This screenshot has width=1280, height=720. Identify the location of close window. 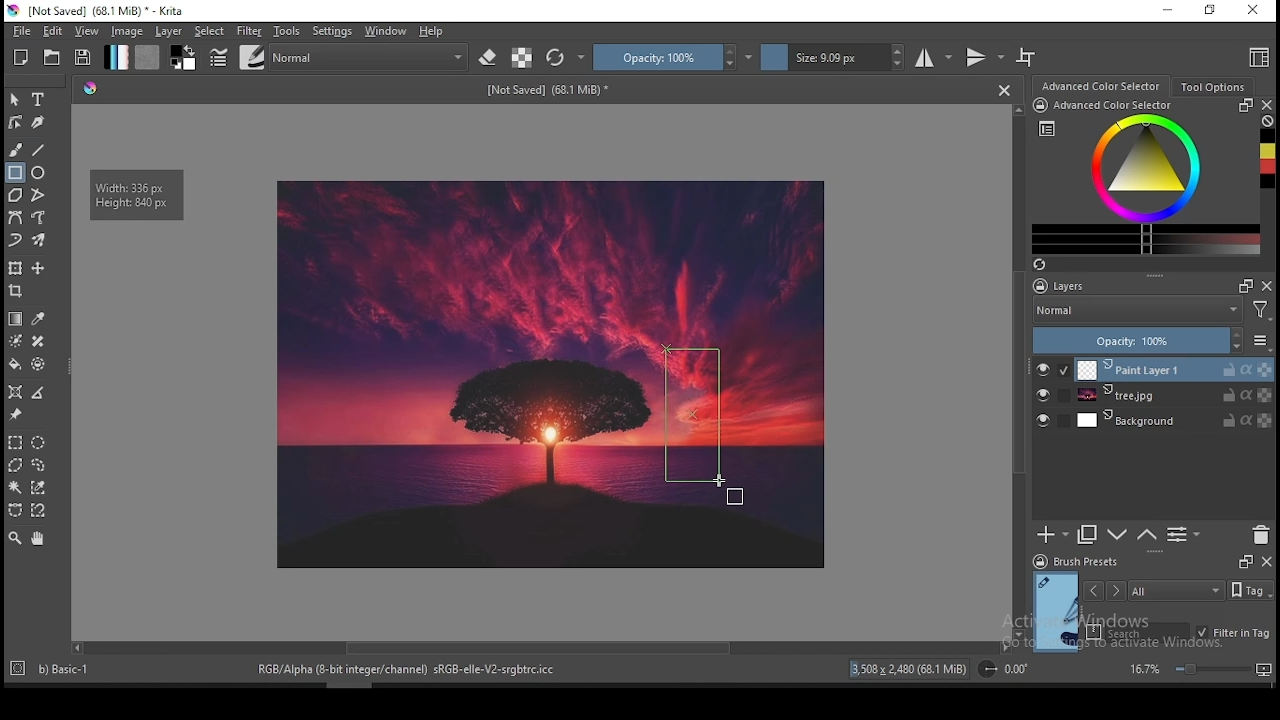
(1252, 10).